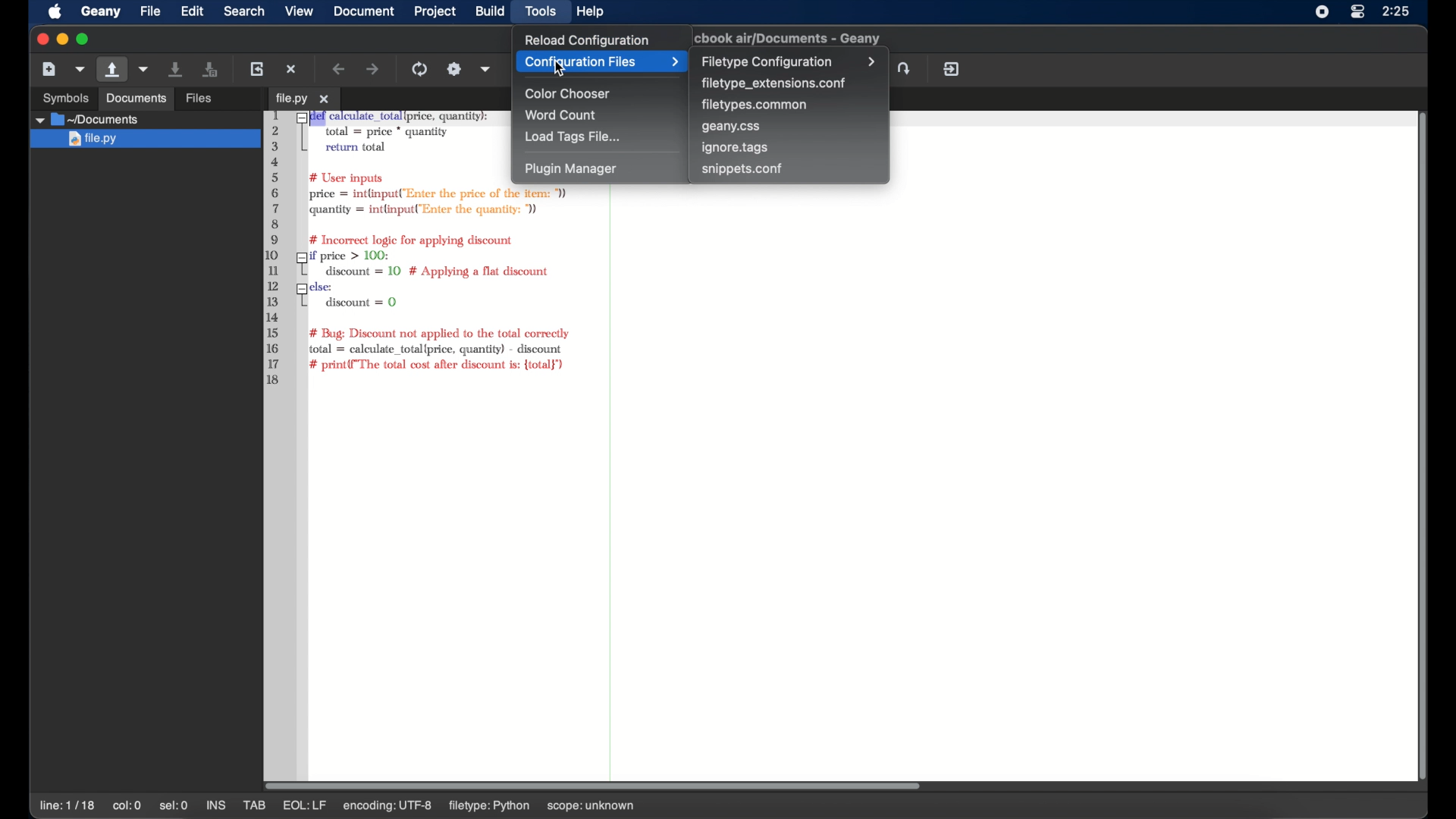 Image resolution: width=1456 pixels, height=819 pixels. I want to click on filetype configuration menu, so click(789, 61).